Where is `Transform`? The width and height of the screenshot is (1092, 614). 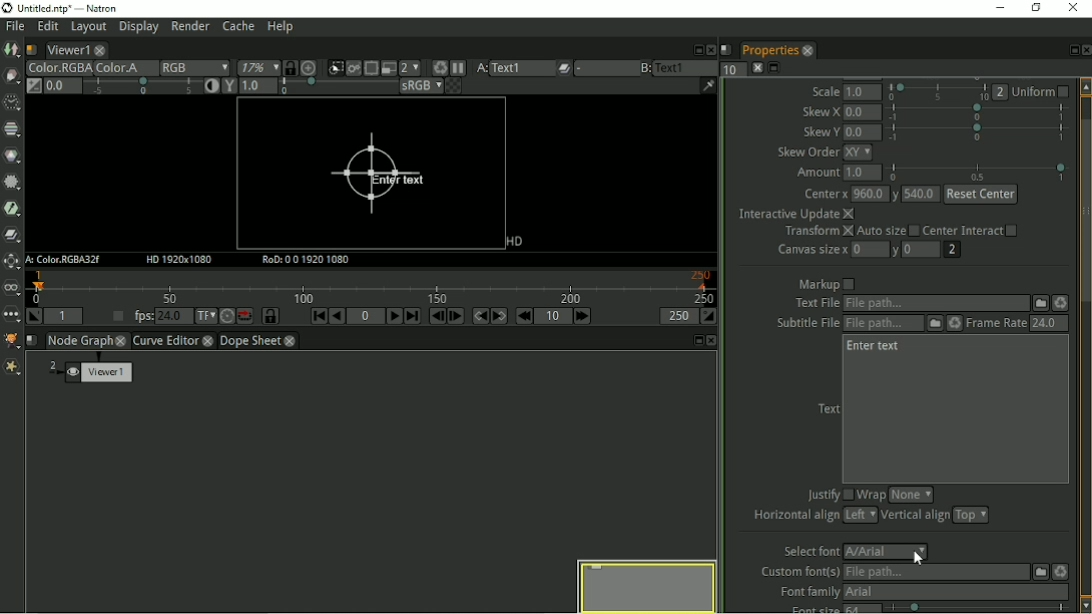 Transform is located at coordinates (816, 233).